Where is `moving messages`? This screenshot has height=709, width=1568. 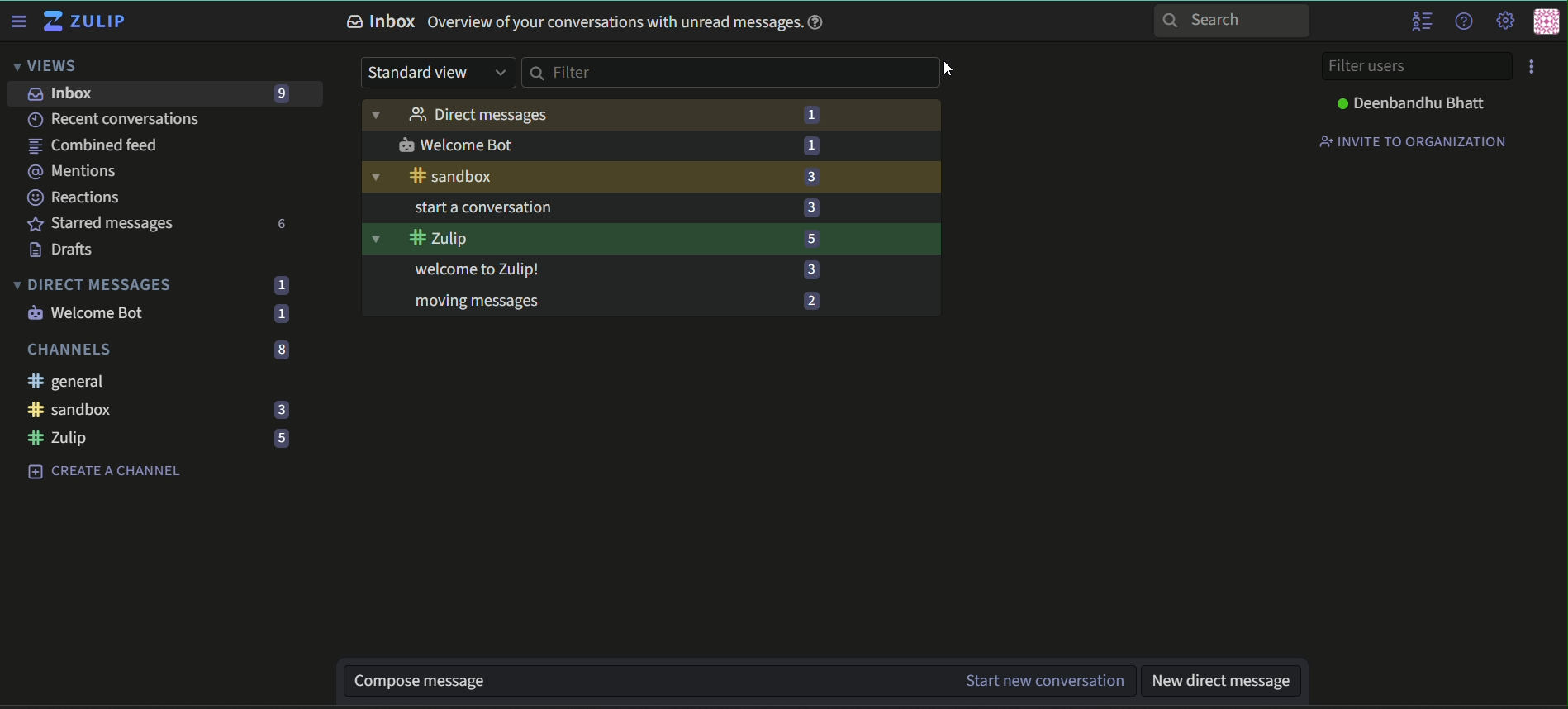 moving messages is located at coordinates (598, 300).